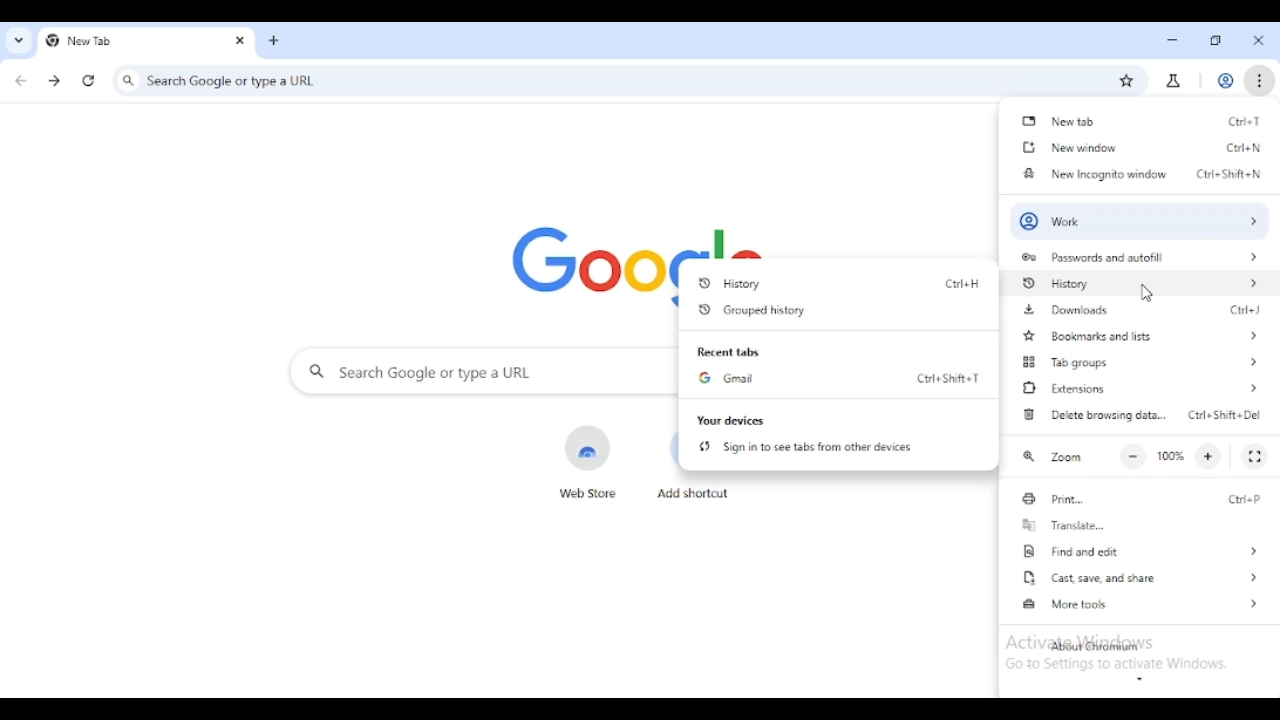 The width and height of the screenshot is (1280, 720). What do you see at coordinates (21, 81) in the screenshot?
I see `click to go back` at bounding box center [21, 81].